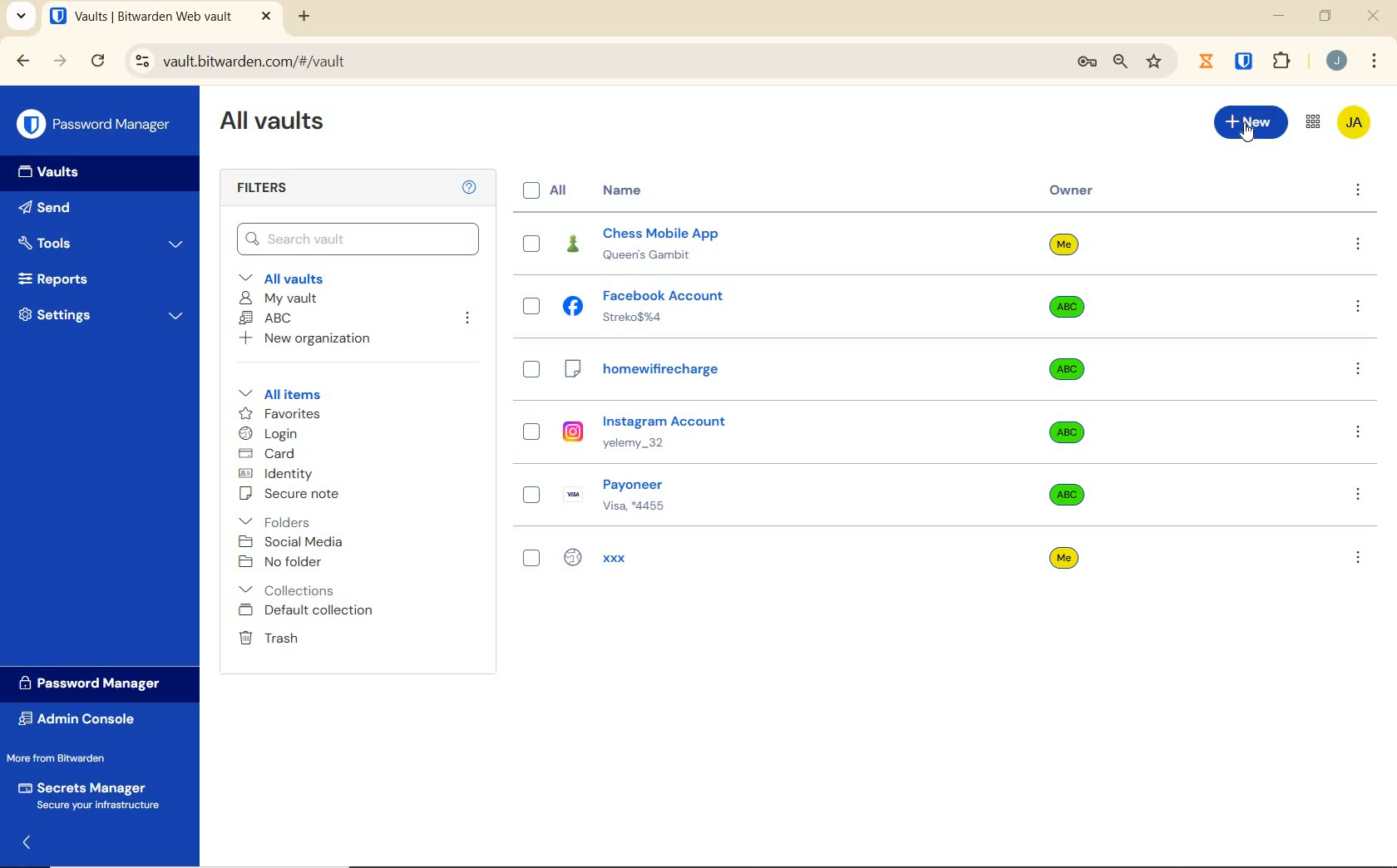 The image size is (1397, 868). Describe the element at coordinates (1357, 192) in the screenshot. I see `more options` at that location.